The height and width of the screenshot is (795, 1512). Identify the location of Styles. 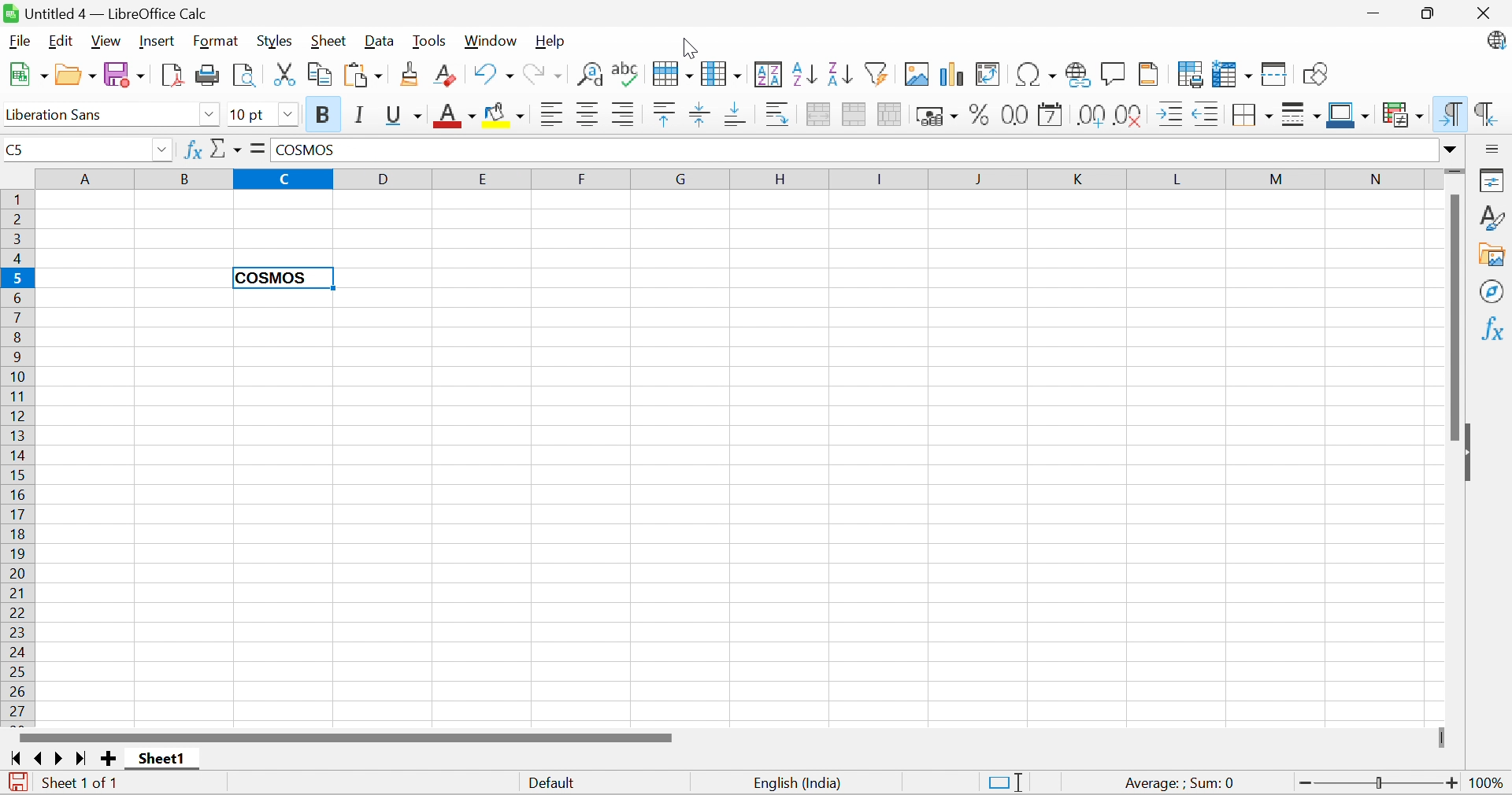
(276, 40).